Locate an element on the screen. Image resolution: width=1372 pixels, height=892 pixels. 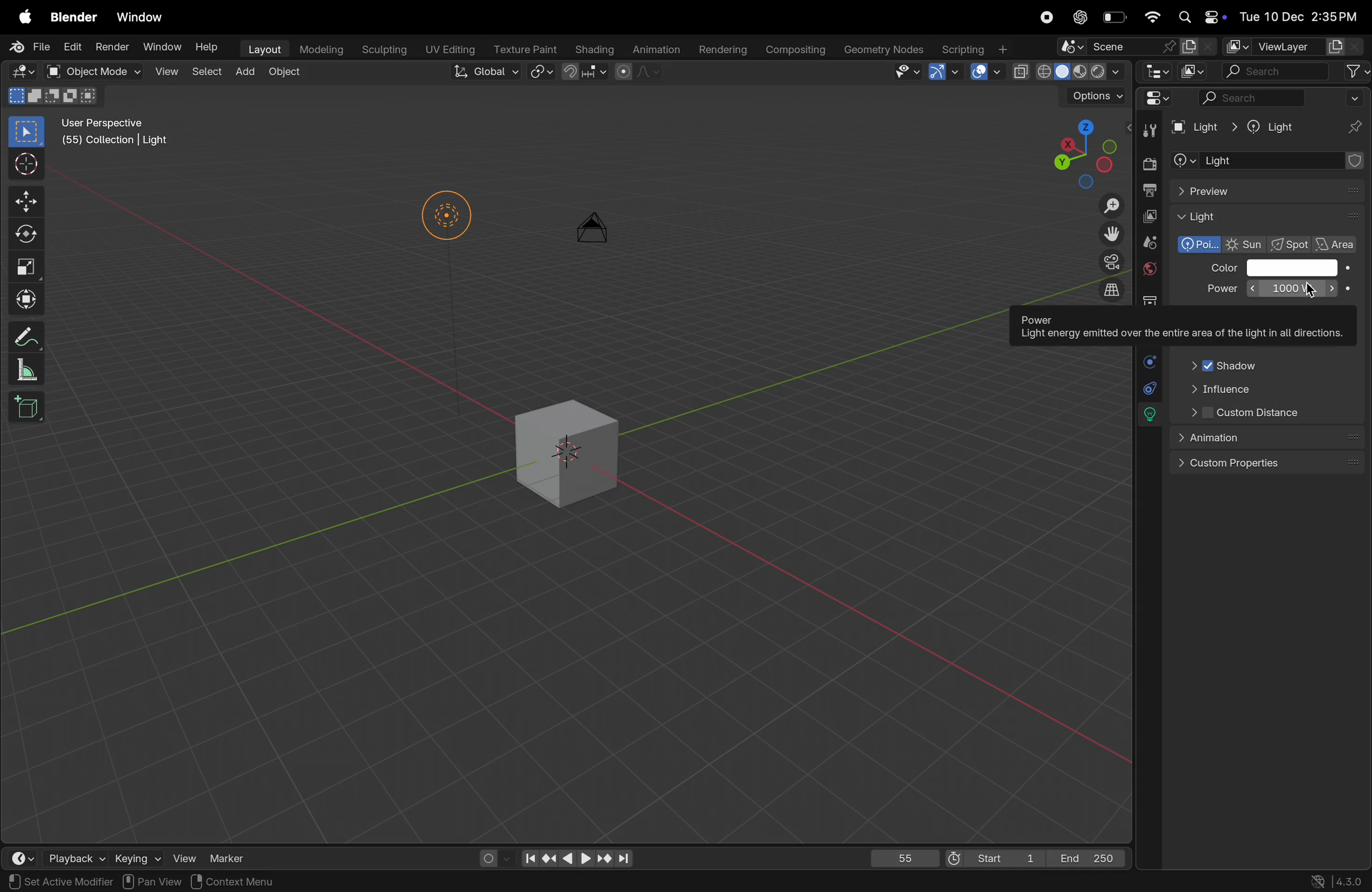
playback is located at coordinates (77, 857).